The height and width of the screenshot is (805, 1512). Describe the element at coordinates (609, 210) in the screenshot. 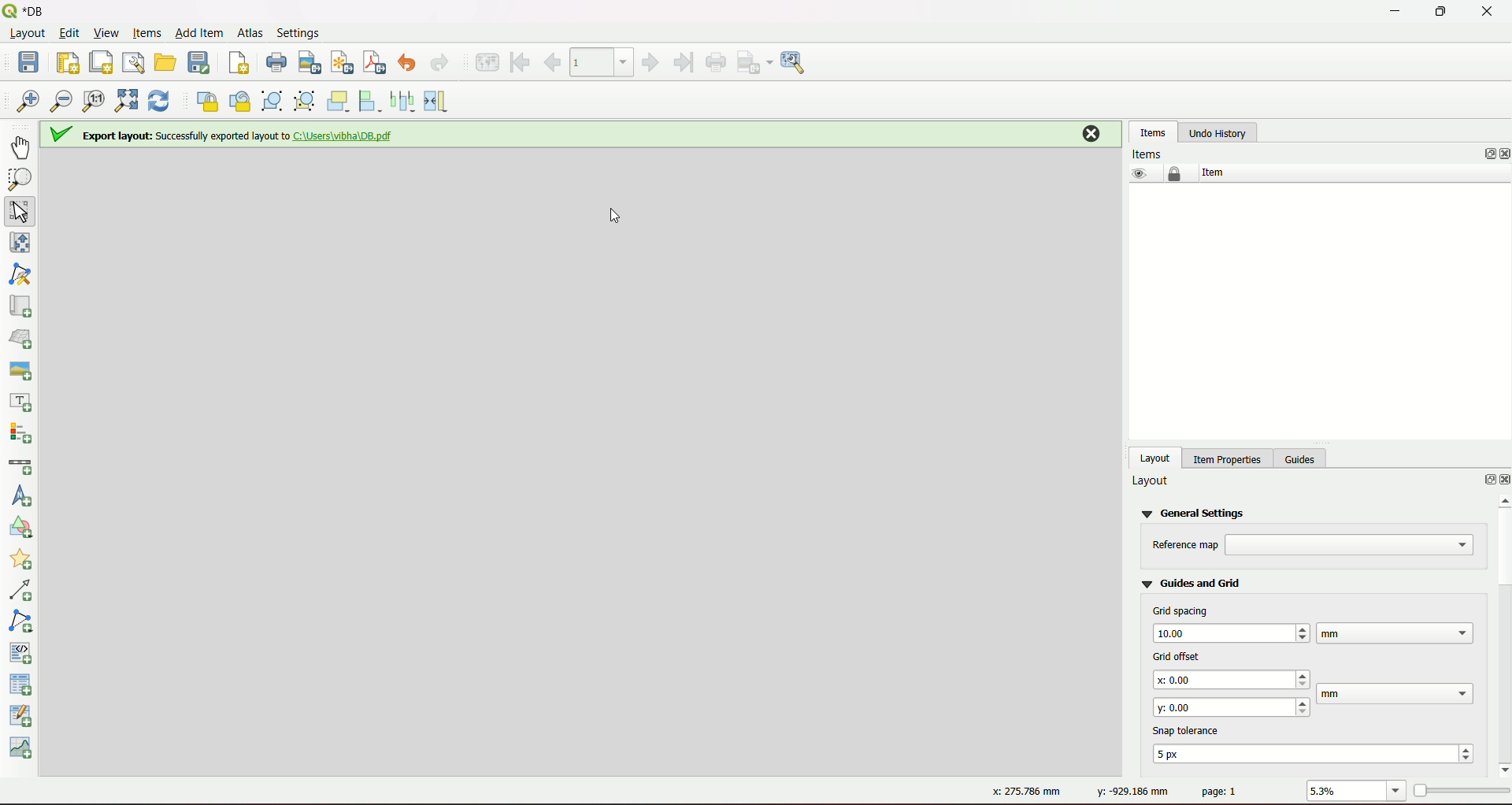

I see `cursor` at that location.